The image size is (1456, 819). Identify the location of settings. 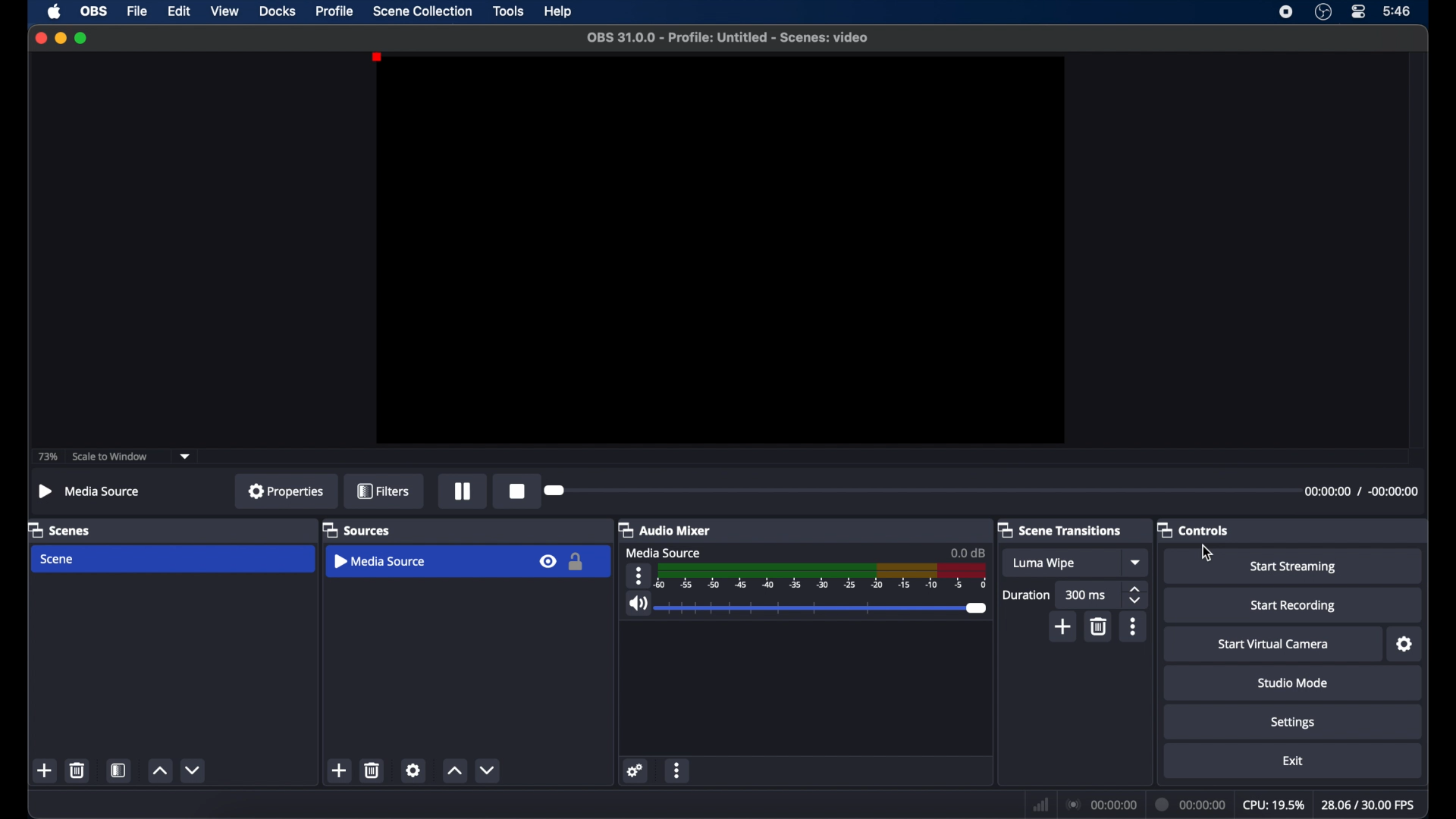
(636, 772).